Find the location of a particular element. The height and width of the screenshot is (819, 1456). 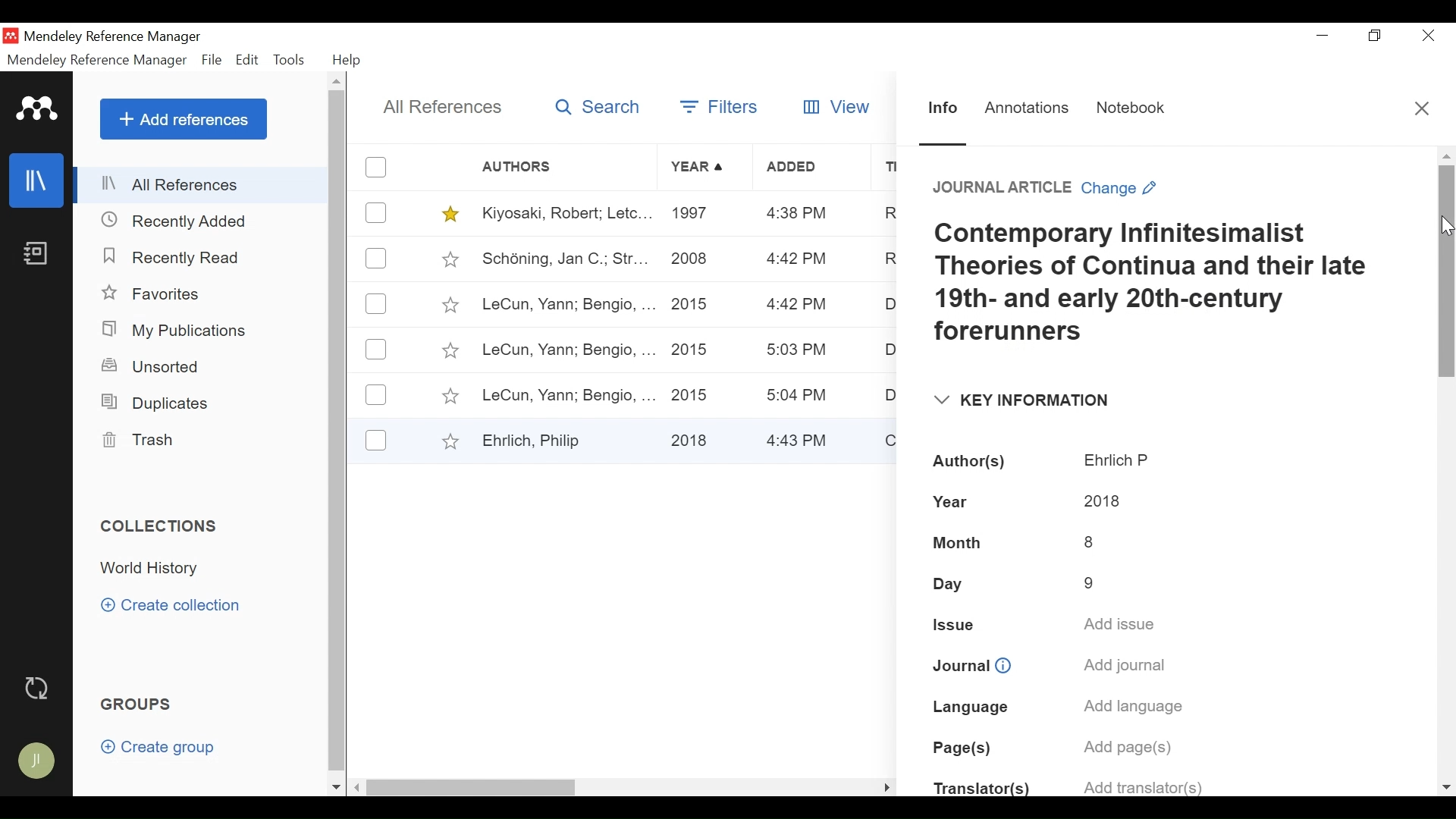

Language is located at coordinates (968, 705).